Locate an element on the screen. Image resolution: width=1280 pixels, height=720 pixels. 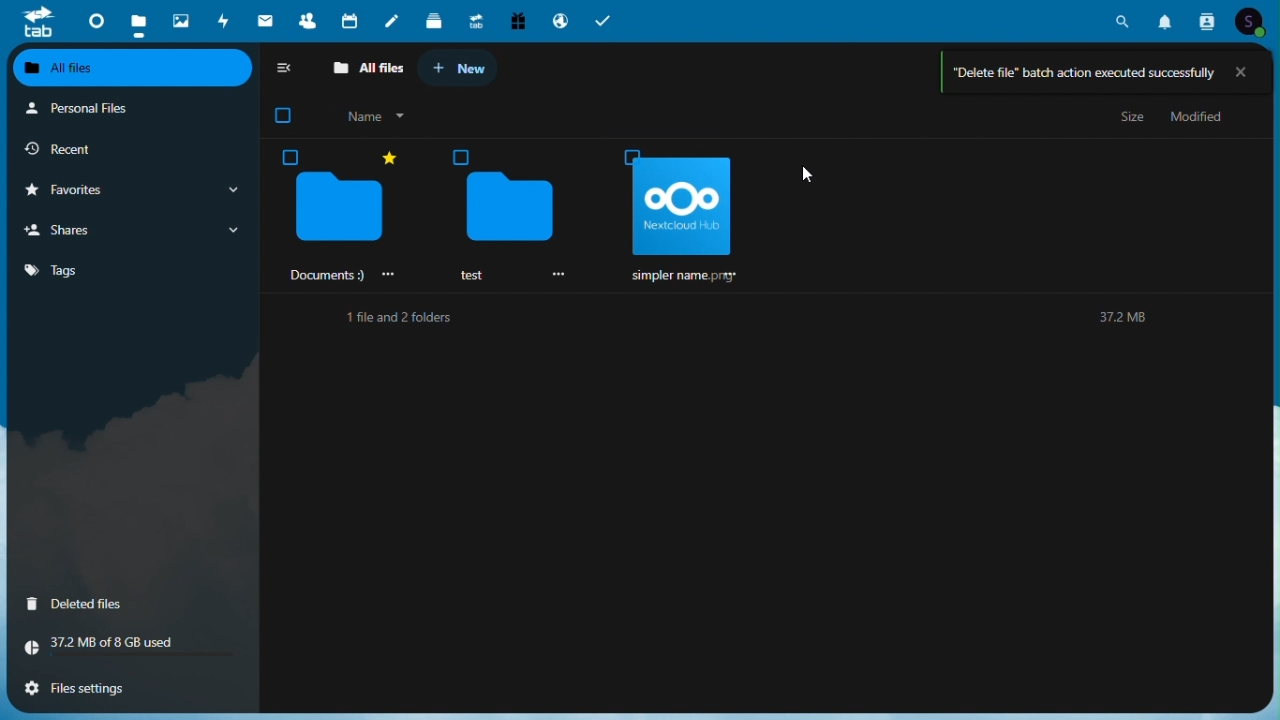
Calendar is located at coordinates (351, 20).